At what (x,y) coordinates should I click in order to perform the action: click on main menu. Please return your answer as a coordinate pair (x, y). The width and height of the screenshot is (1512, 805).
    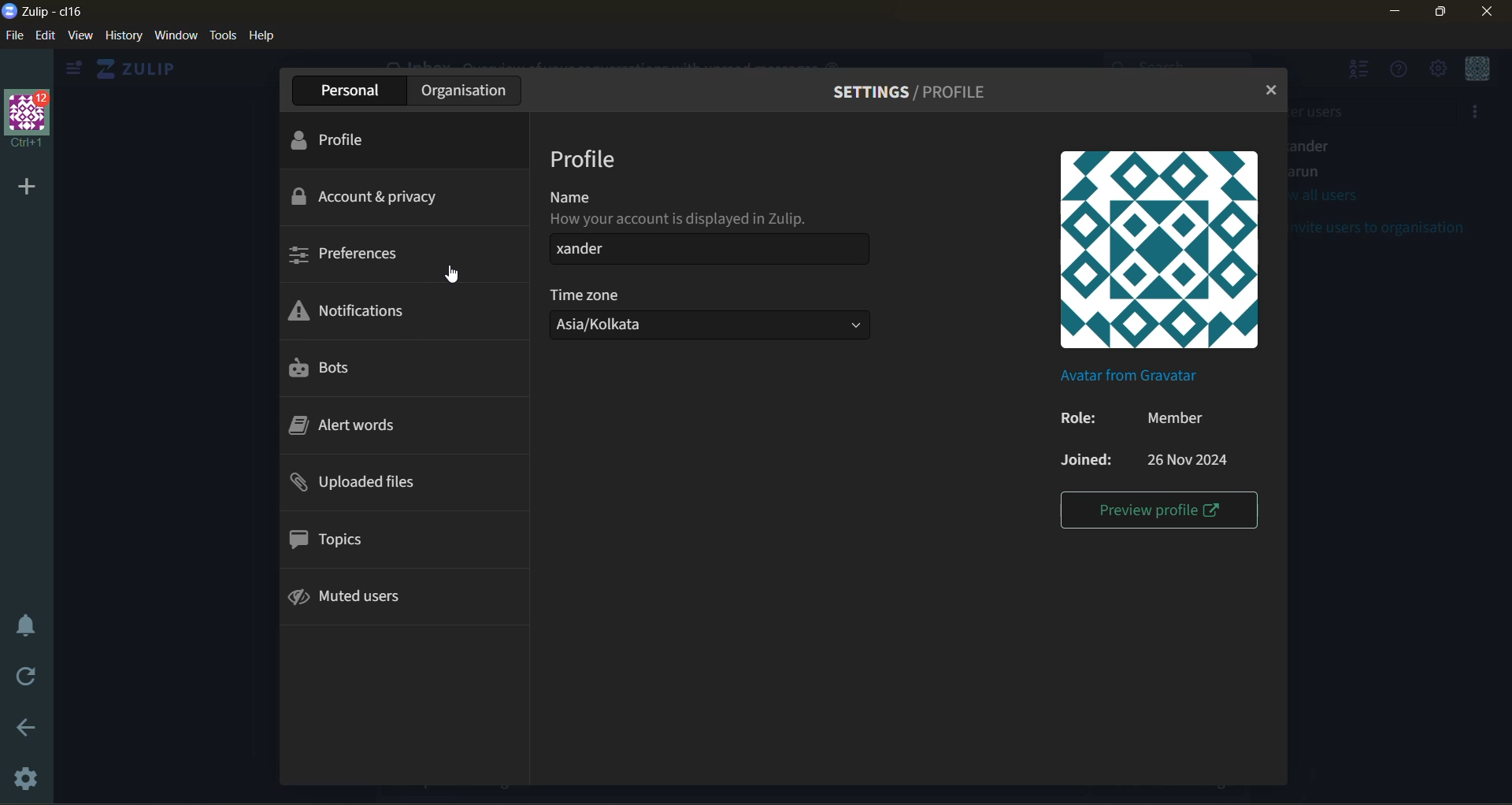
    Looking at the image, I should click on (1440, 72).